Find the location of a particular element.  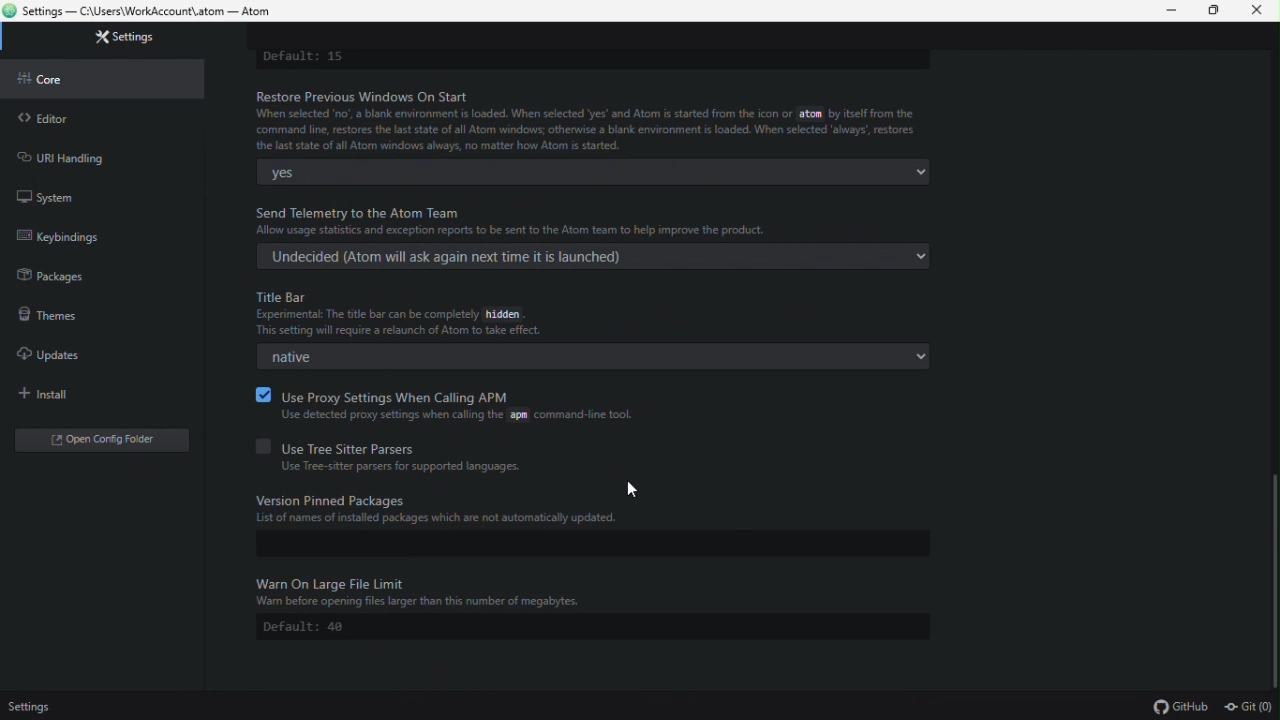

Git (0) is located at coordinates (1248, 708).